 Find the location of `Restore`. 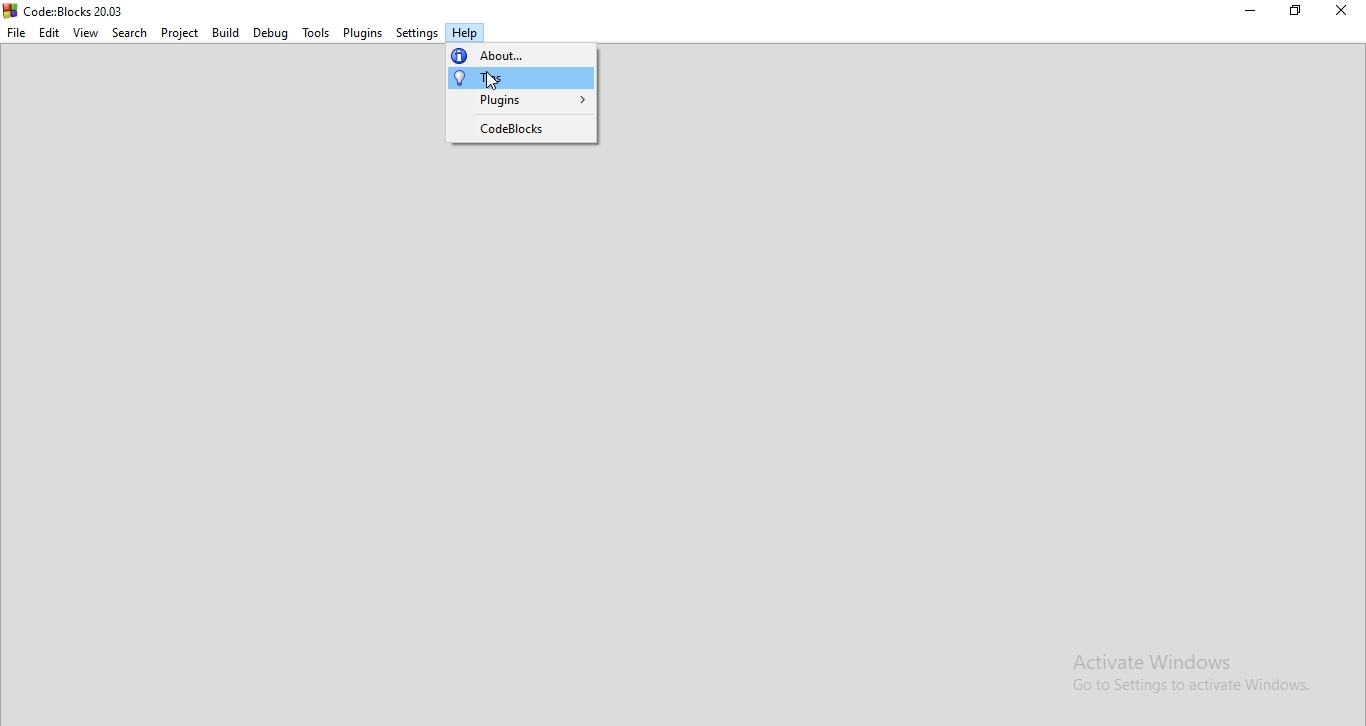

Restore is located at coordinates (1297, 13).